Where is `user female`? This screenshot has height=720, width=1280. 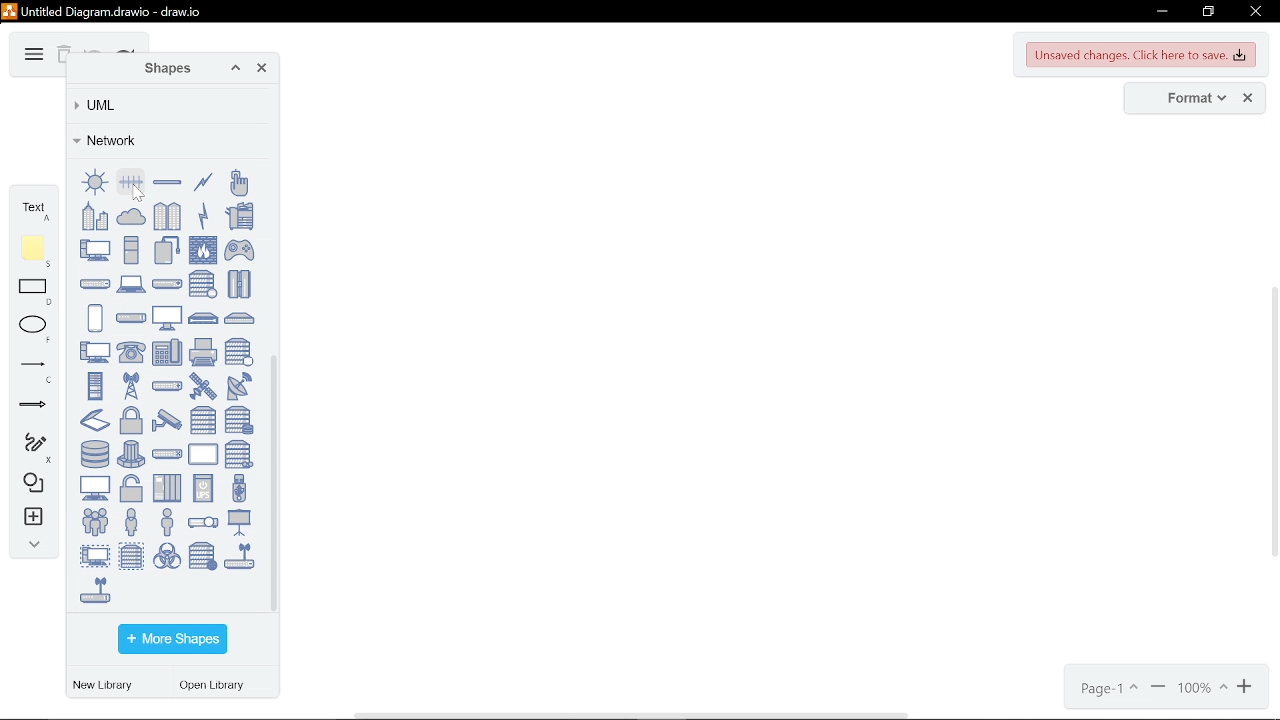
user female is located at coordinates (131, 521).